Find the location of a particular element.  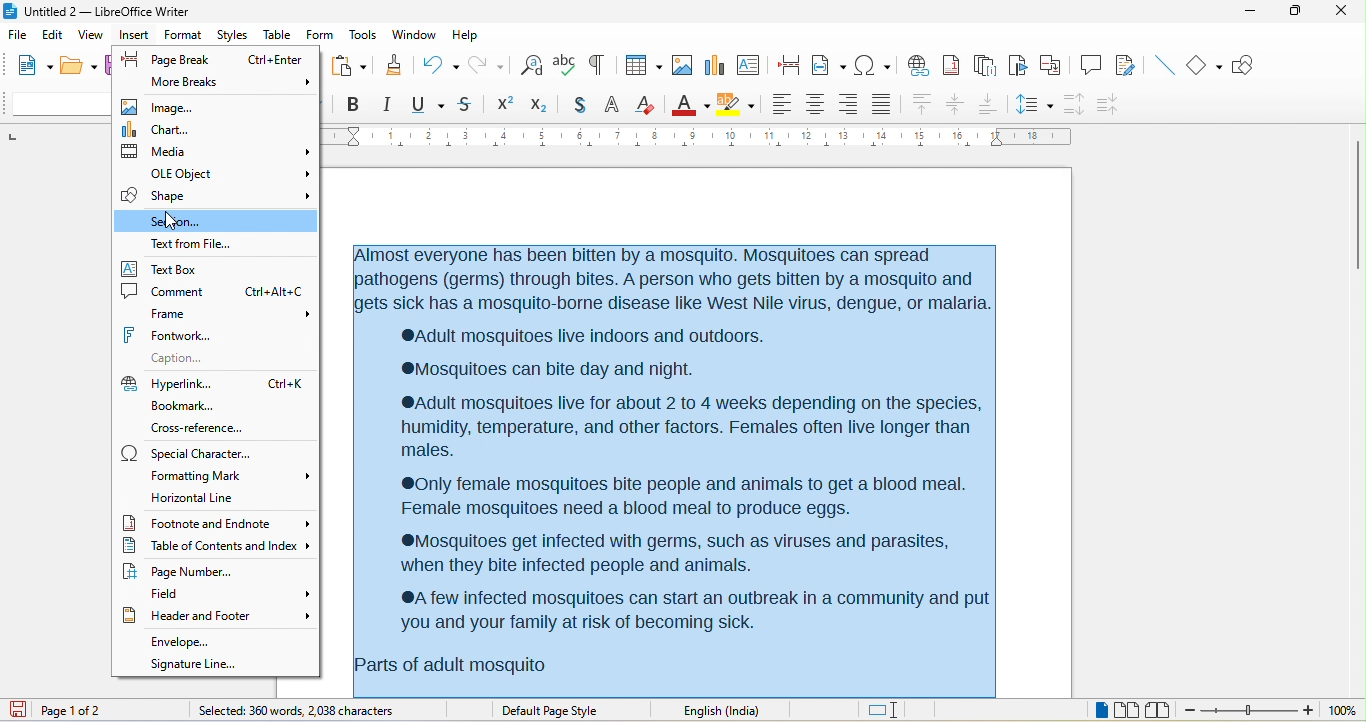

untitled 2 - libreoffice writer is located at coordinates (100, 10).